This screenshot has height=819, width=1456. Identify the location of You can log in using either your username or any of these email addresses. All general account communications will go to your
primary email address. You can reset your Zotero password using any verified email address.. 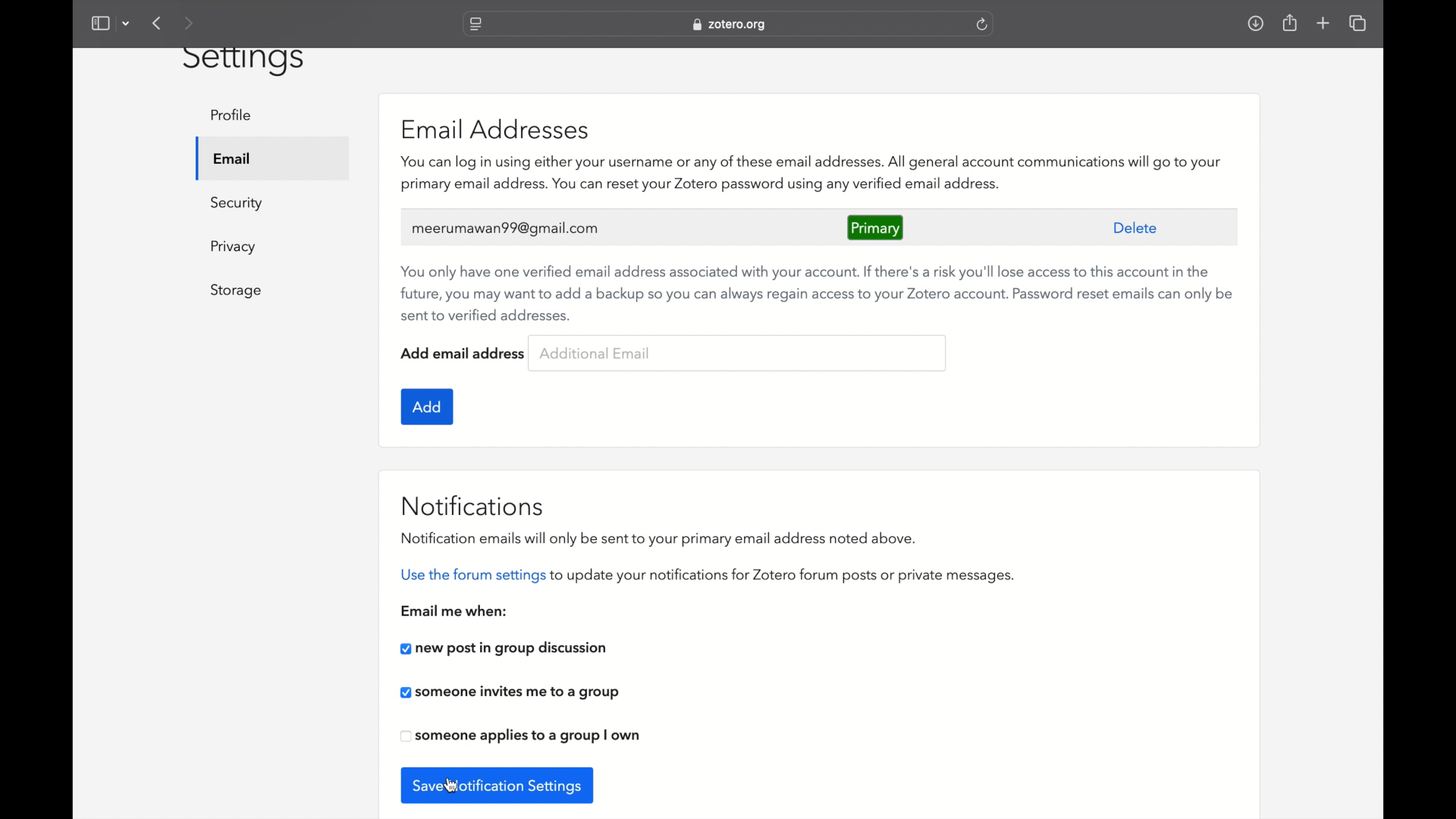
(810, 174).